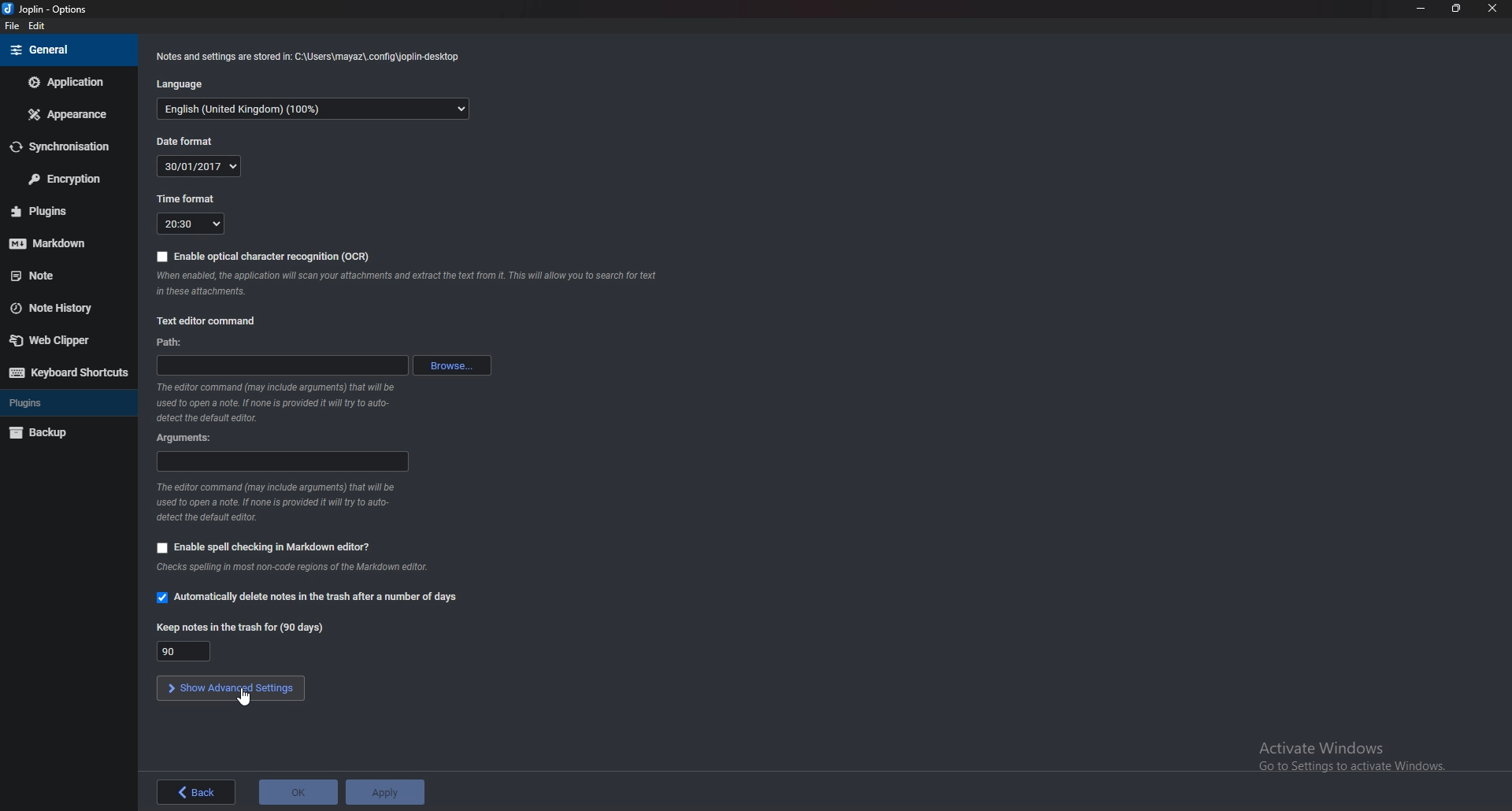  I want to click on Edit, so click(38, 26).